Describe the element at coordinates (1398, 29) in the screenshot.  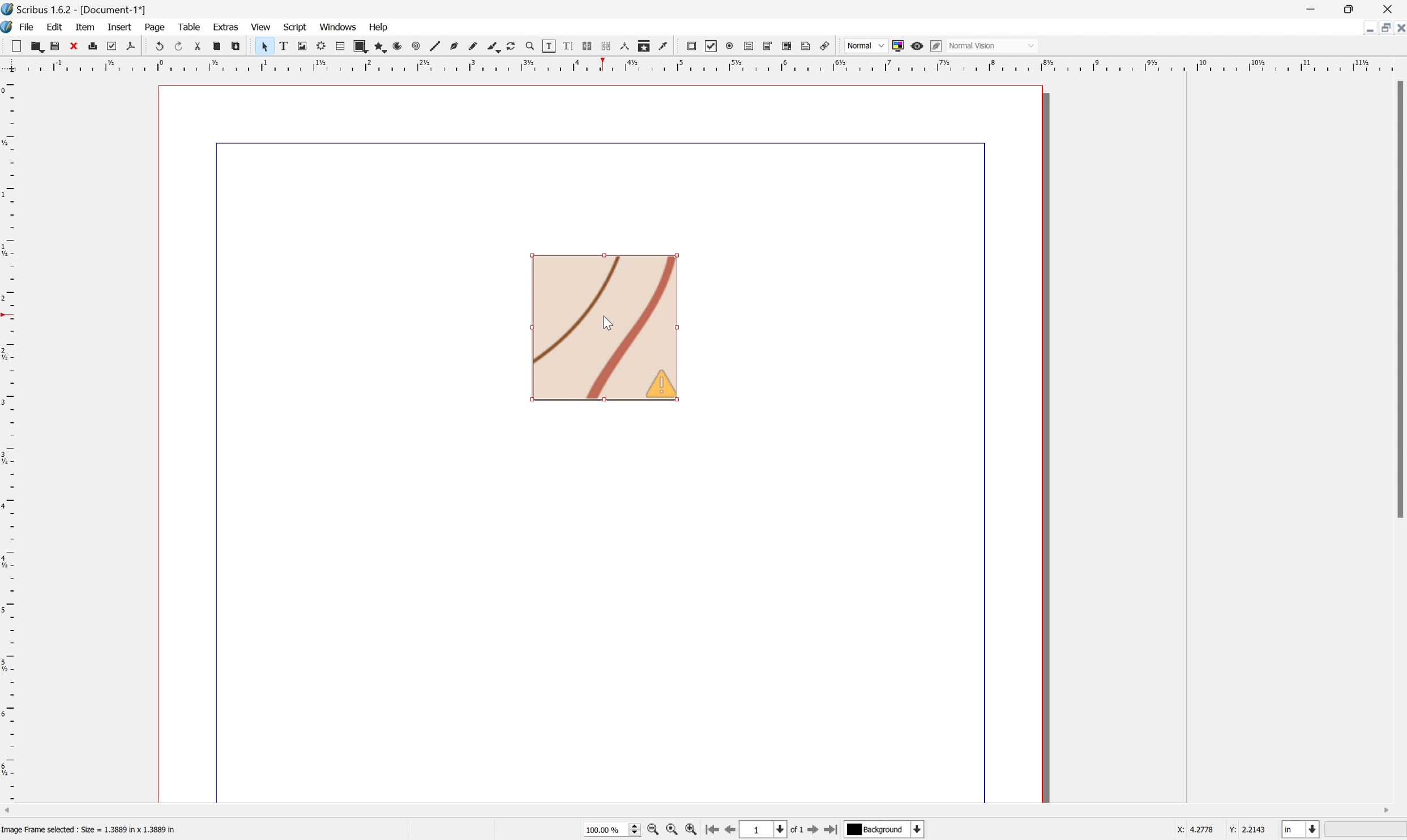
I see `Close` at that location.